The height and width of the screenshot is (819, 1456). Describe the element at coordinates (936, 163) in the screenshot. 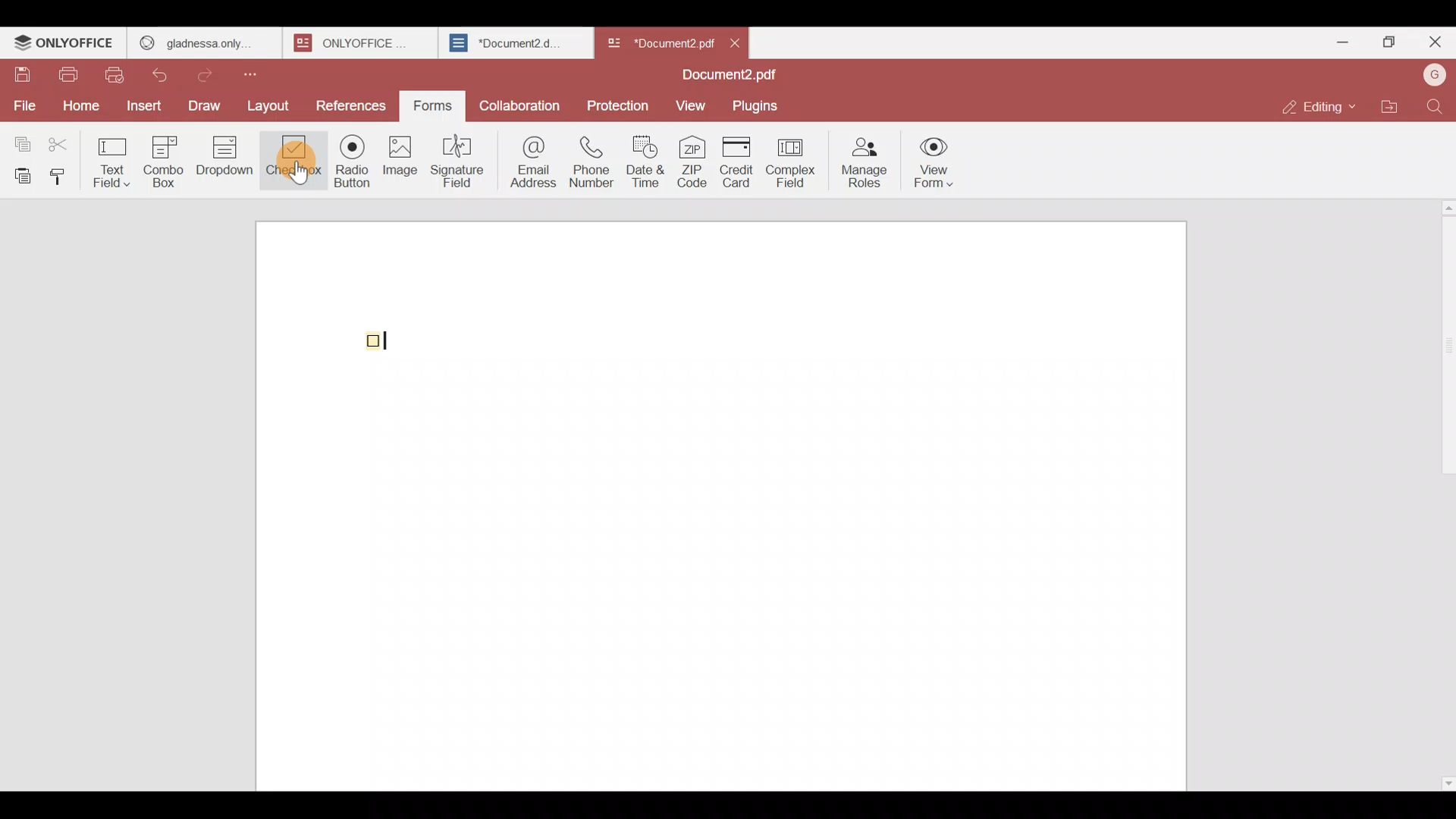

I see `View form` at that location.